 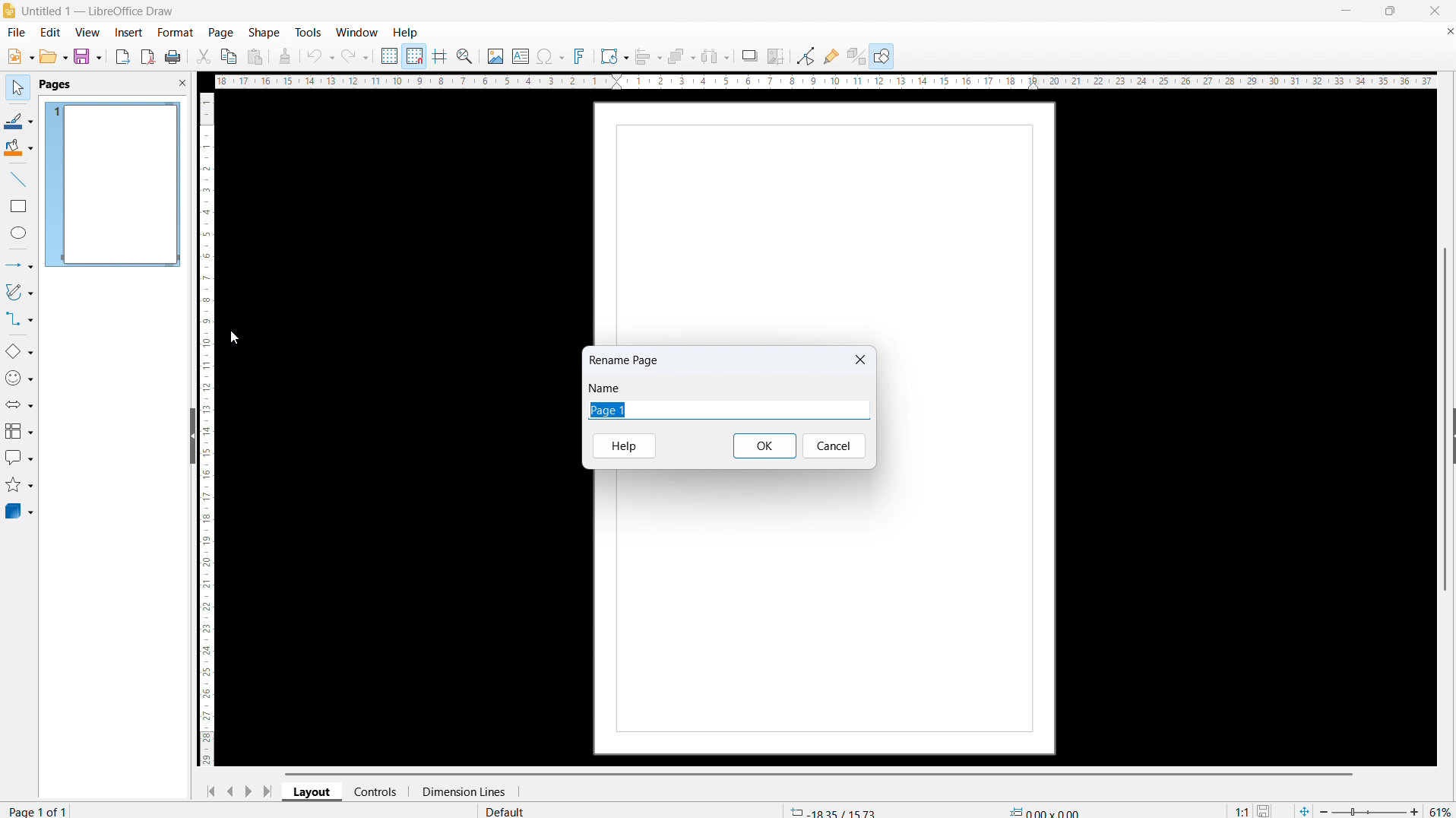 What do you see at coordinates (19, 404) in the screenshot?
I see `block arrows` at bounding box center [19, 404].